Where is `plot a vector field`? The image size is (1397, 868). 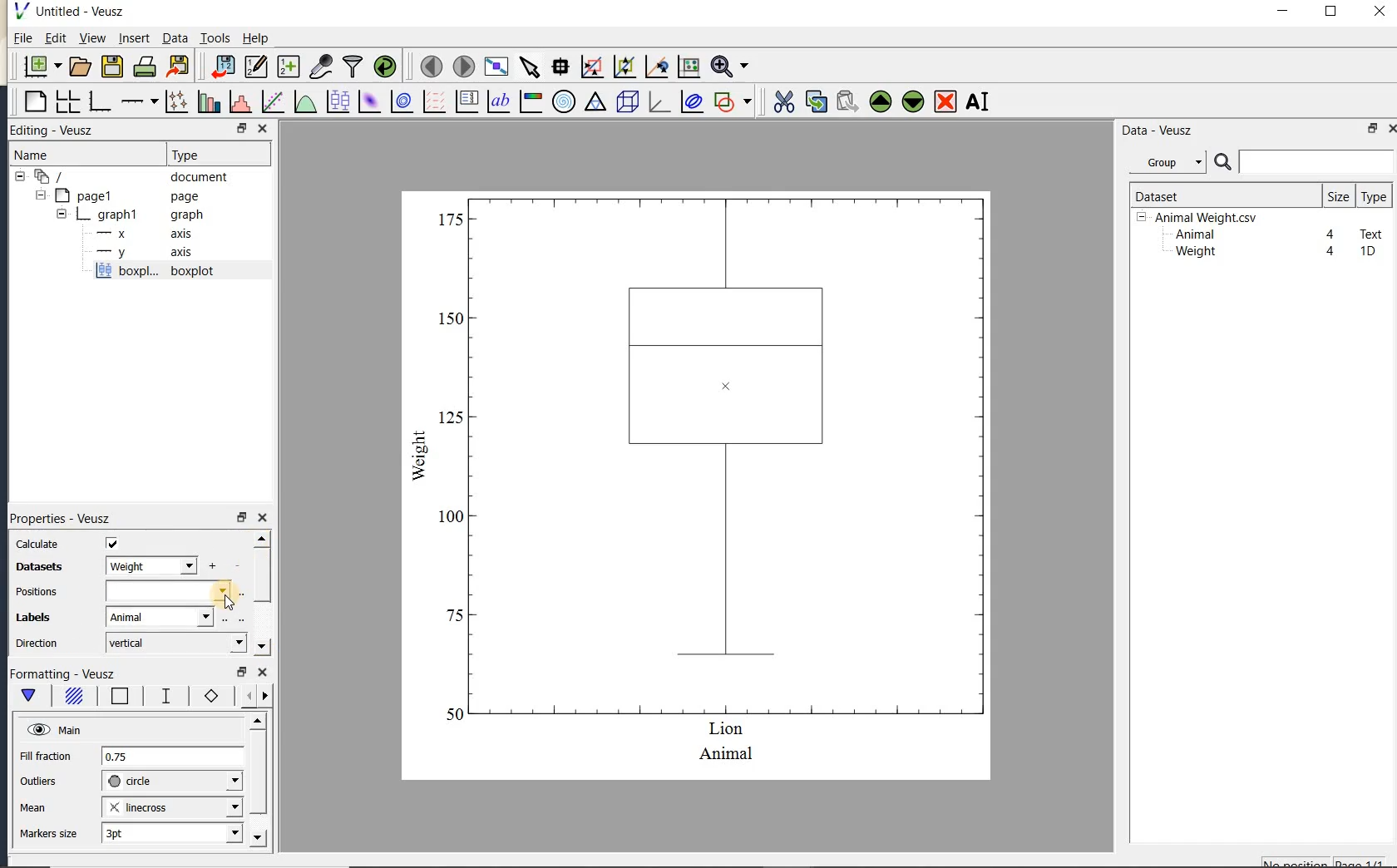
plot a vector field is located at coordinates (432, 102).